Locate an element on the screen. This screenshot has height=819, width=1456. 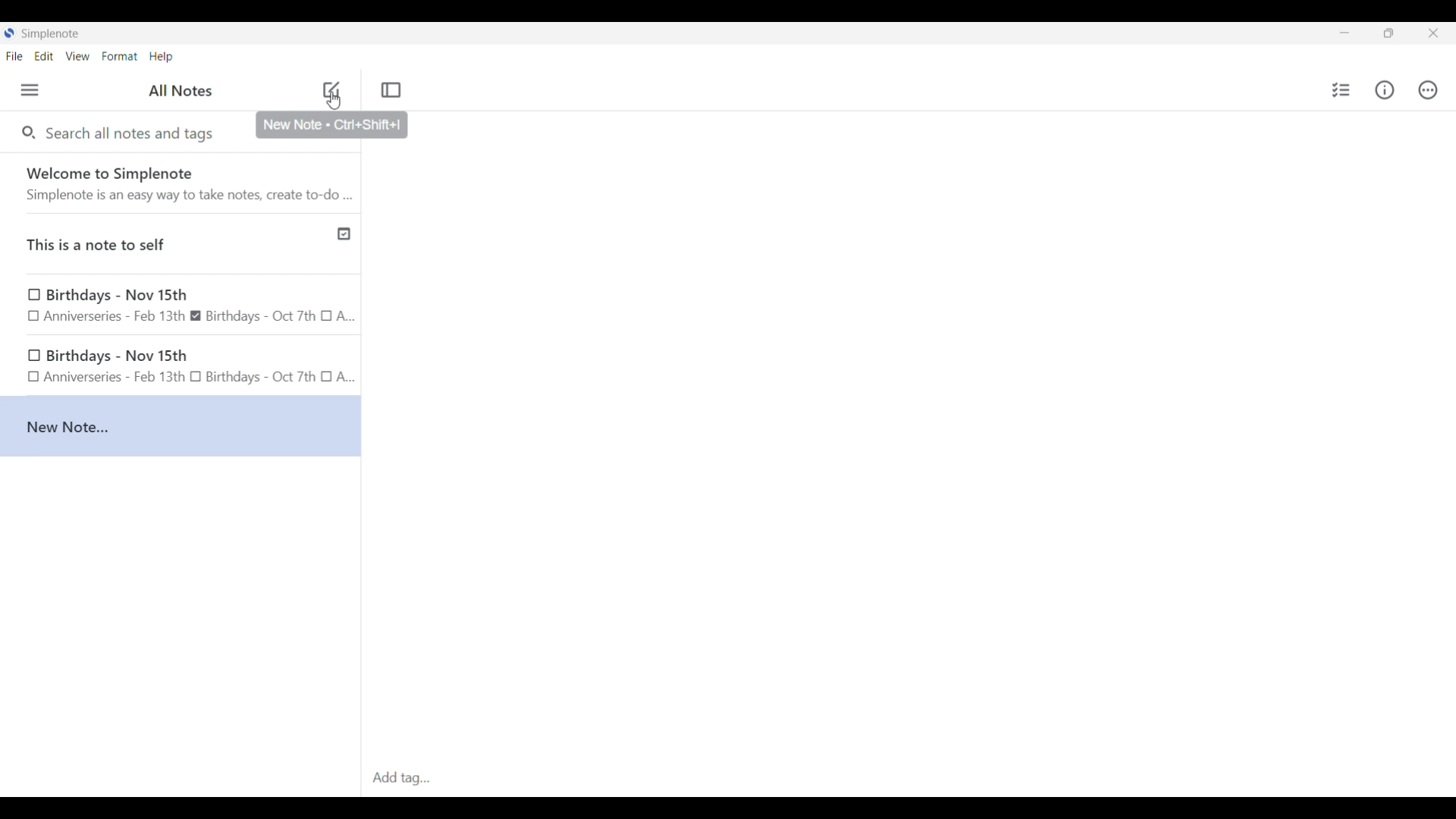
View menu is located at coordinates (78, 55).